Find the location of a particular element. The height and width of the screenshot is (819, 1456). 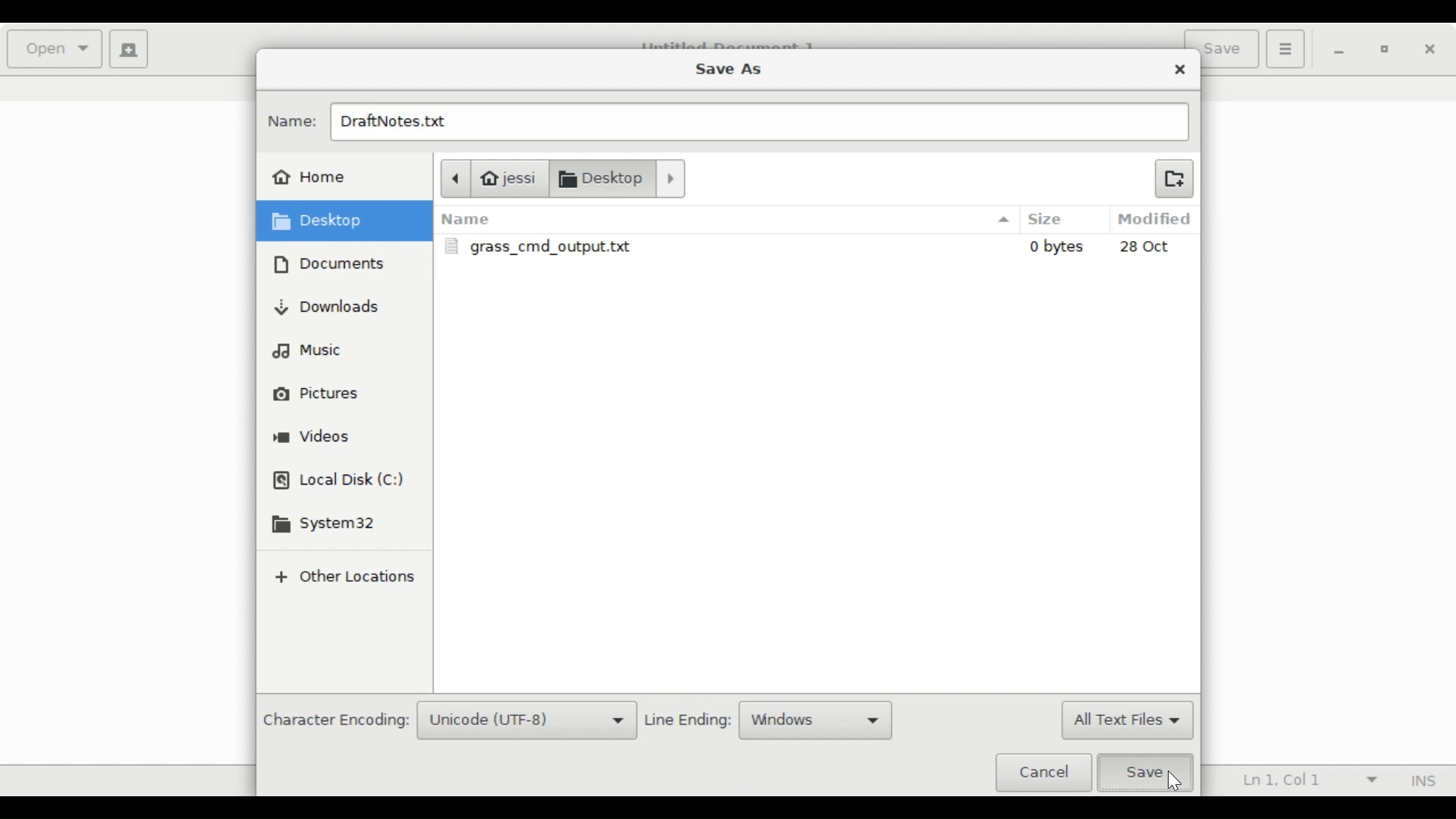

Local Disk (C) is located at coordinates (340, 482).